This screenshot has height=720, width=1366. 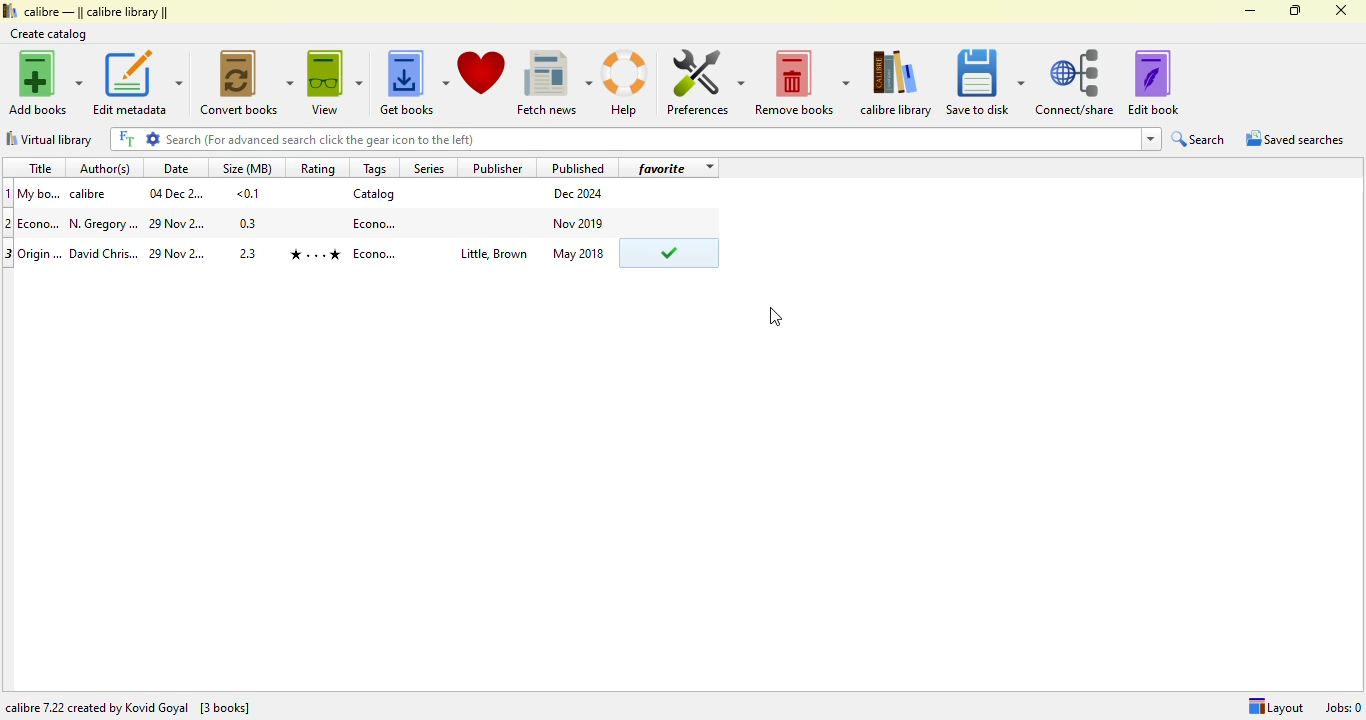 I want to click on help, so click(x=625, y=84).